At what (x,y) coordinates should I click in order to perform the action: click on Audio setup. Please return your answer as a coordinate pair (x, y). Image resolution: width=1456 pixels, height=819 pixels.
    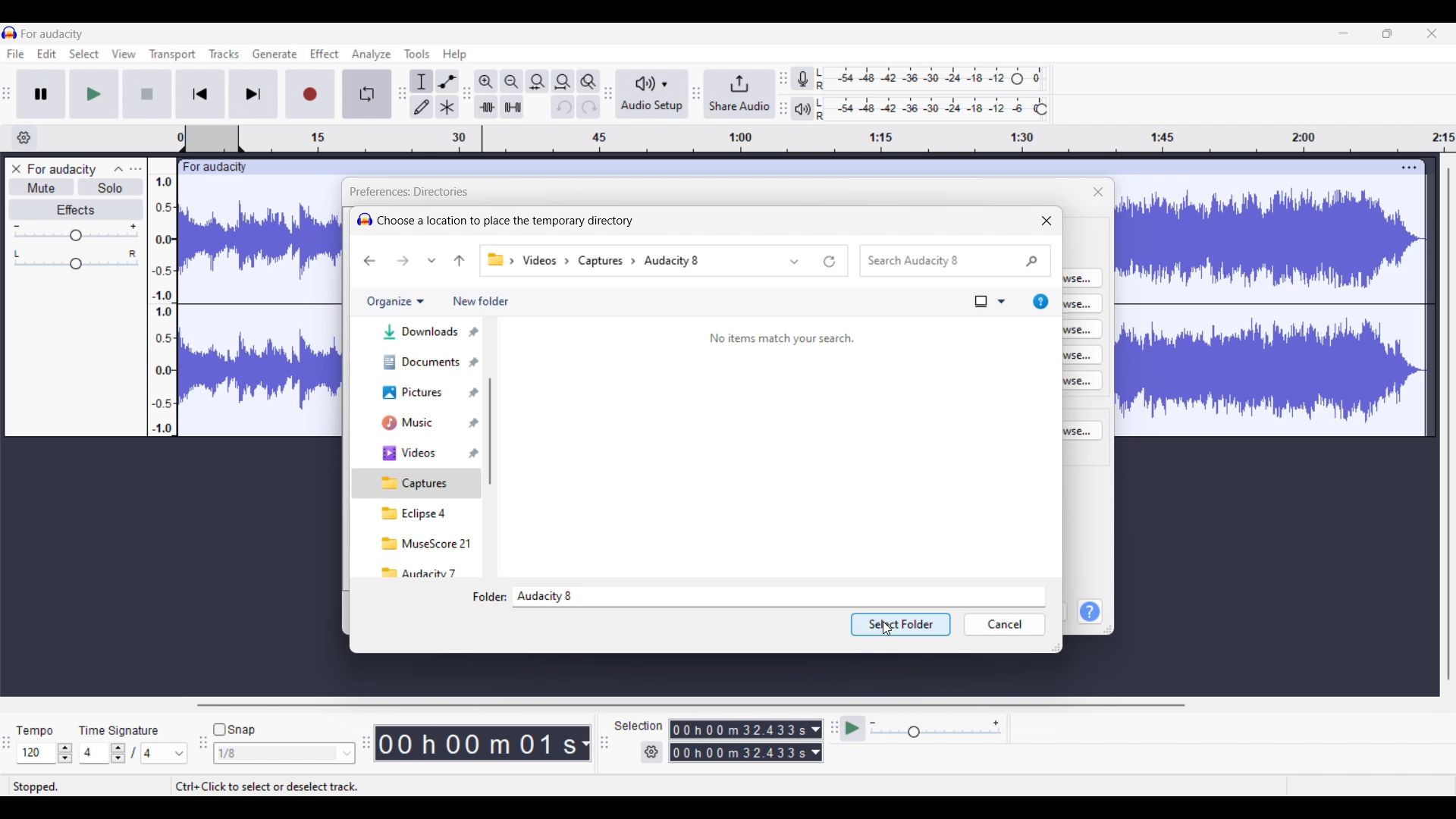
    Looking at the image, I should click on (652, 93).